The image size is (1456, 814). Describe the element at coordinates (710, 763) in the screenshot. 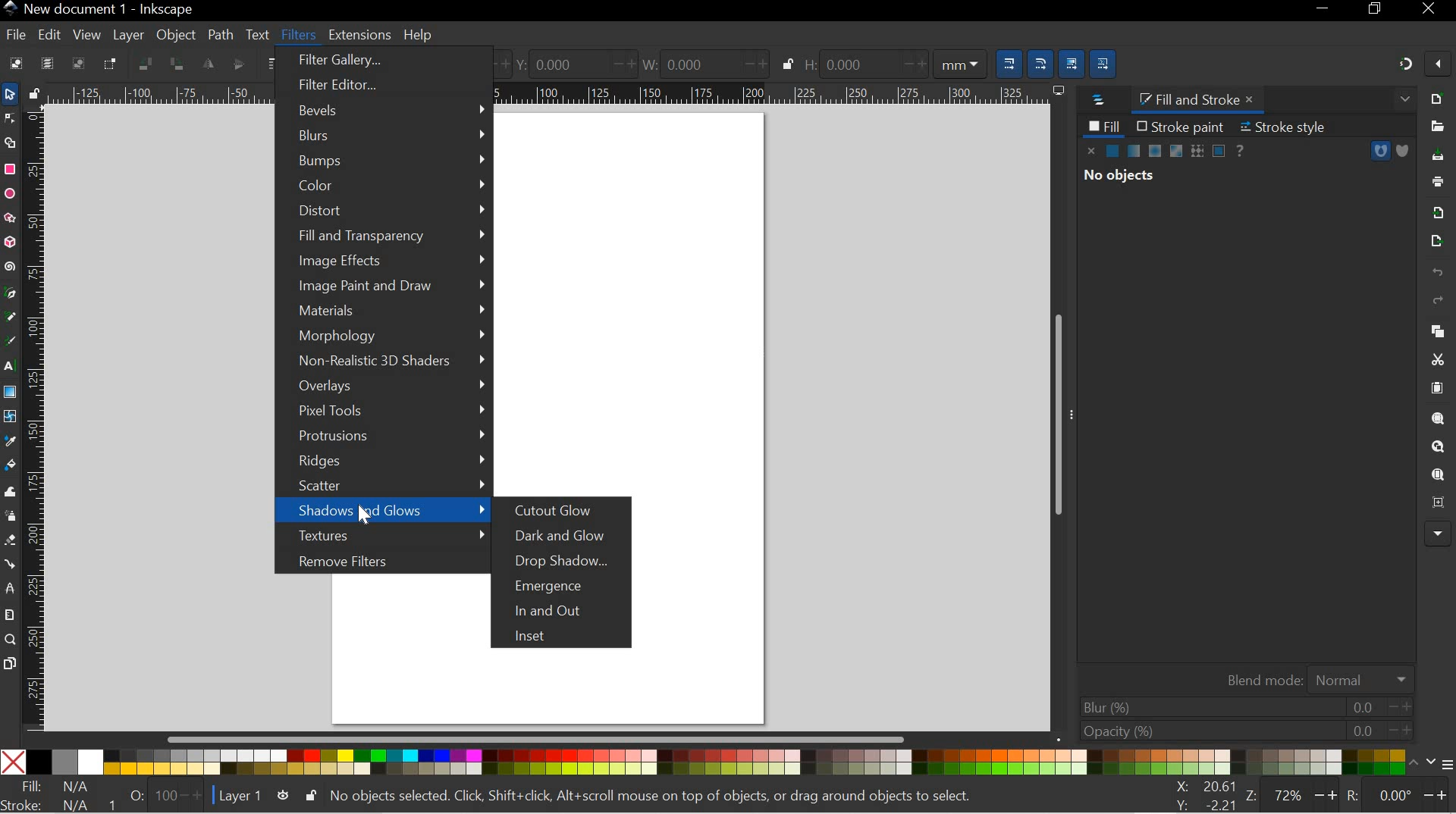

I see `COLOR` at that location.